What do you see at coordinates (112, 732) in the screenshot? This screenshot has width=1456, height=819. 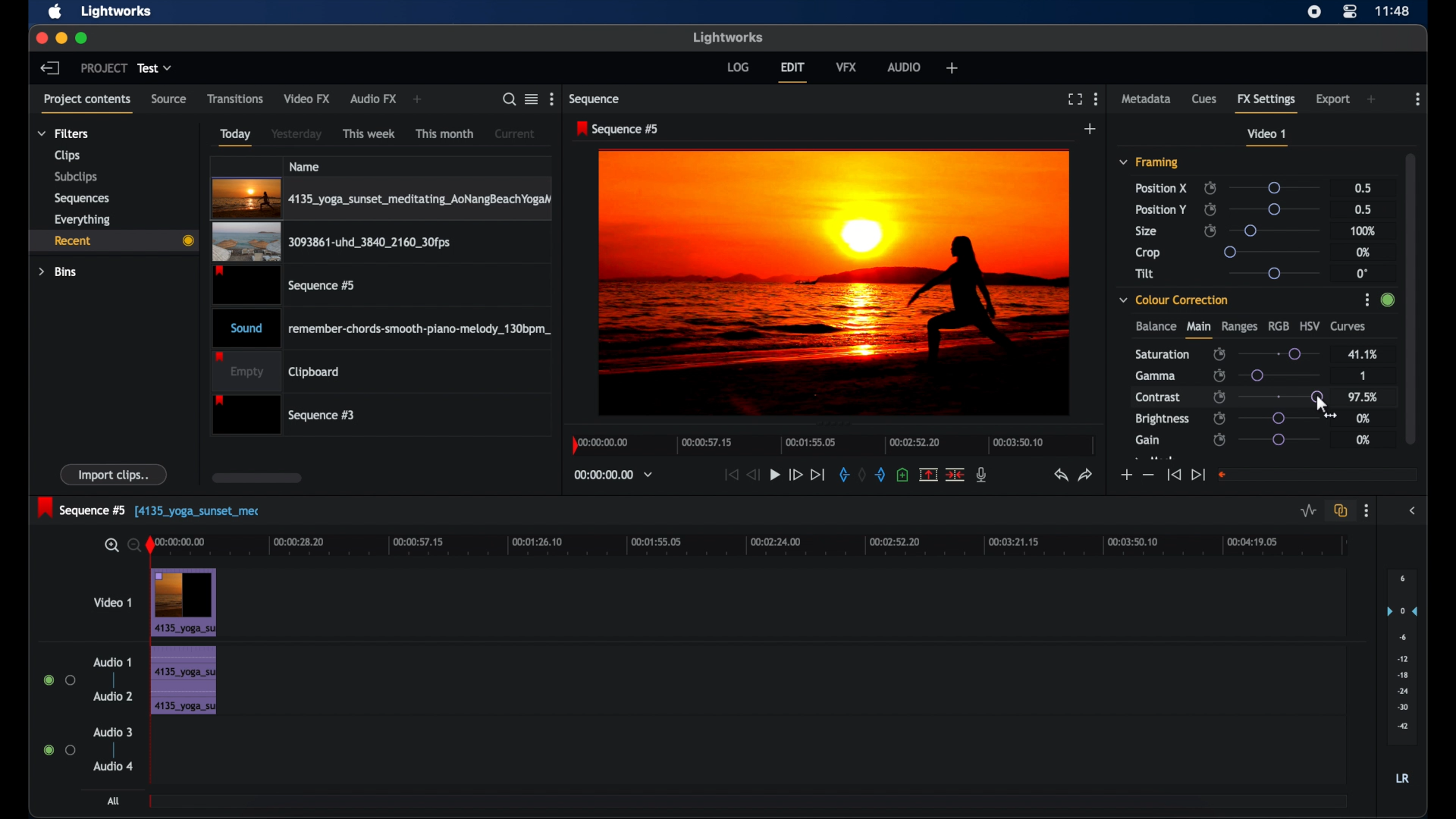 I see `audio 3` at bounding box center [112, 732].